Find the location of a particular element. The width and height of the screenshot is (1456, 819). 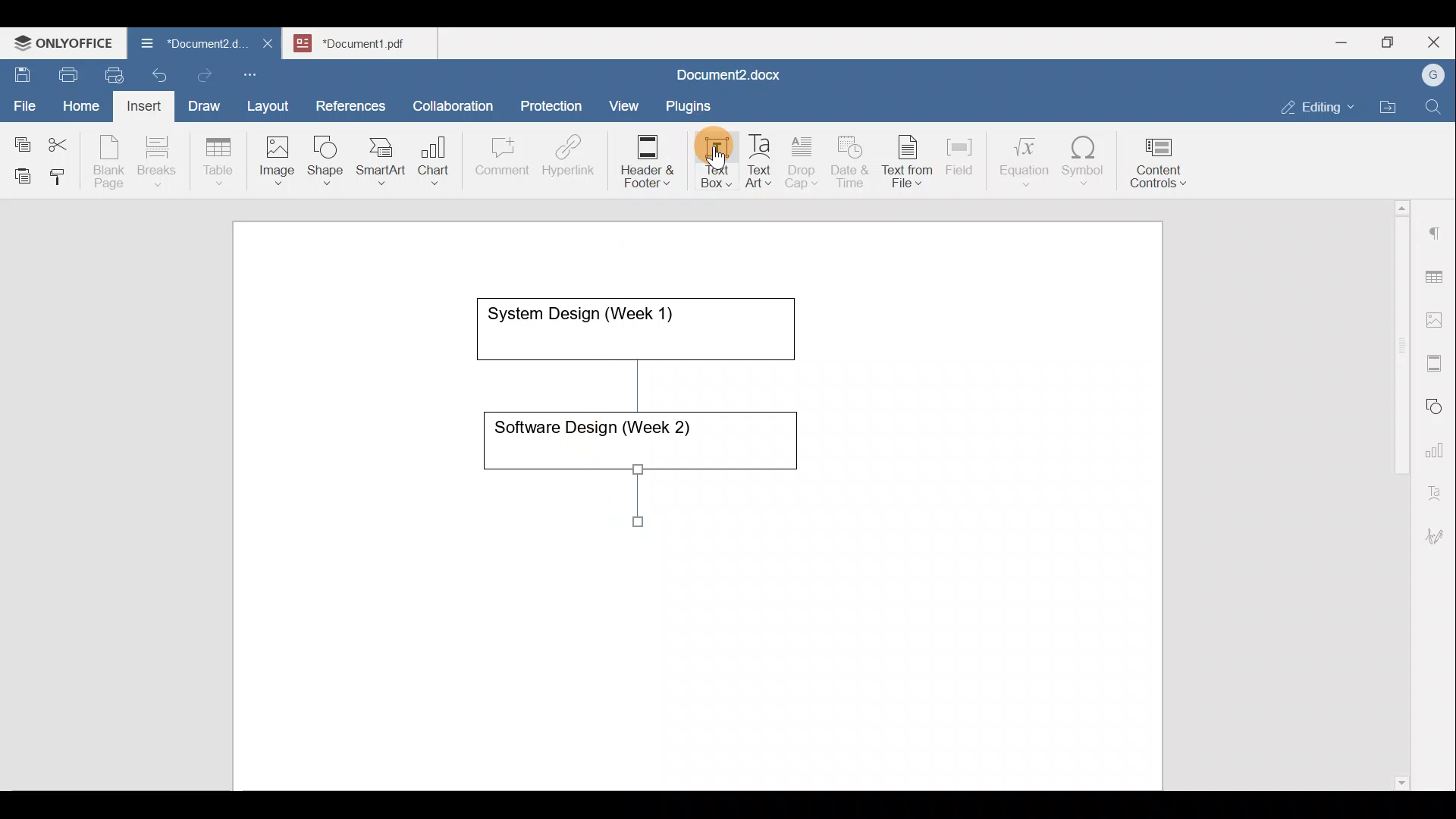

Blank page is located at coordinates (111, 162).